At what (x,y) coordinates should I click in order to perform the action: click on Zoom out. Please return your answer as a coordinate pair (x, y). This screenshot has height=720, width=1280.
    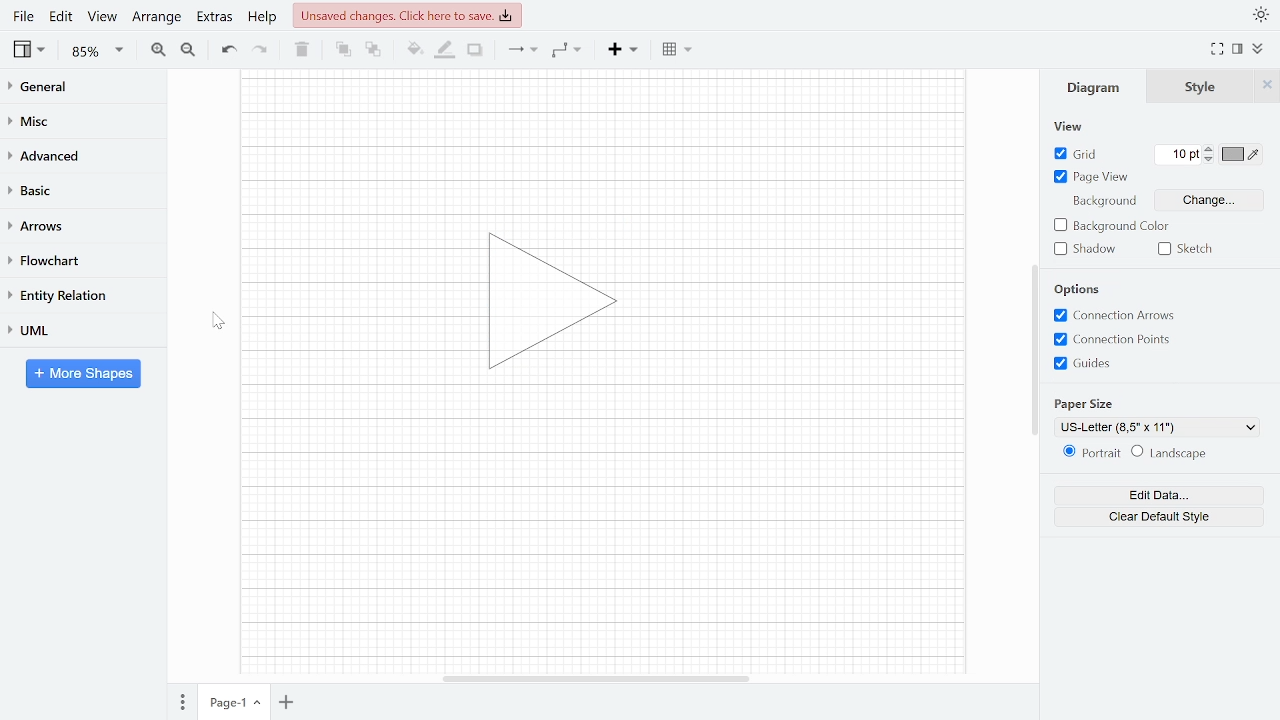
    Looking at the image, I should click on (190, 49).